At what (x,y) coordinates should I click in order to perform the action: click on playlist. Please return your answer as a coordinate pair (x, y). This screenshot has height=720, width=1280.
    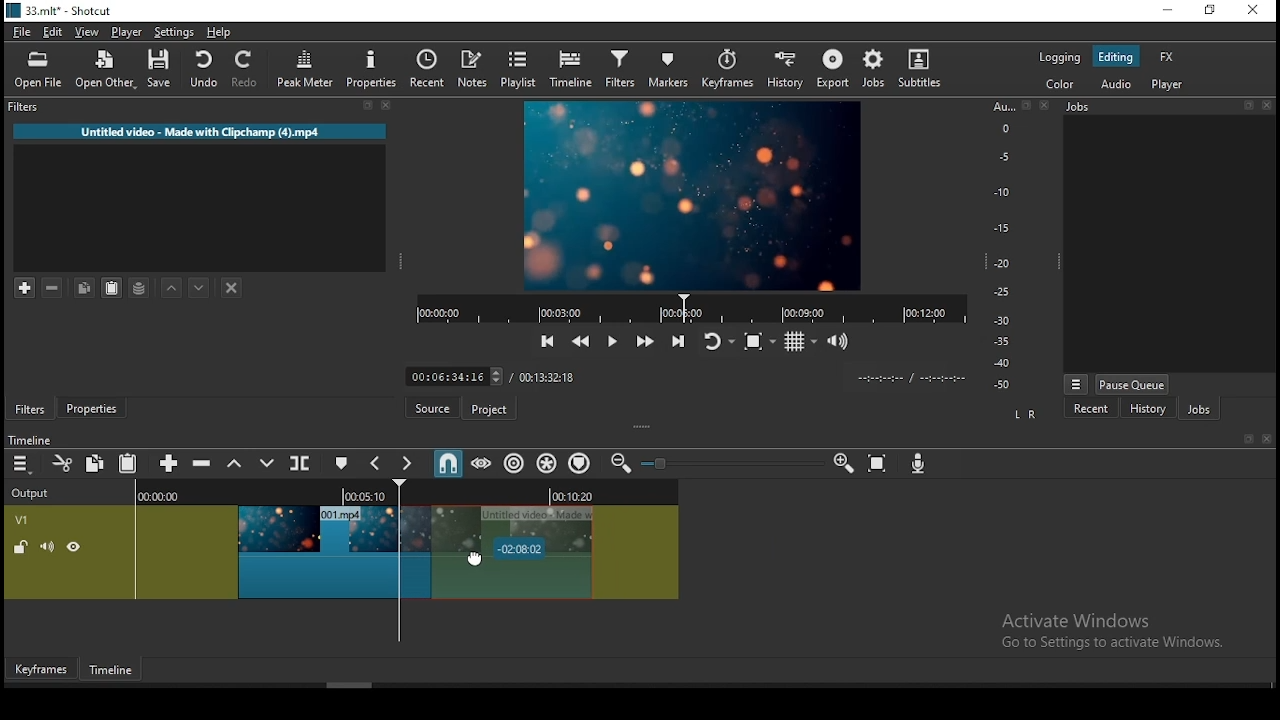
    Looking at the image, I should click on (520, 70).